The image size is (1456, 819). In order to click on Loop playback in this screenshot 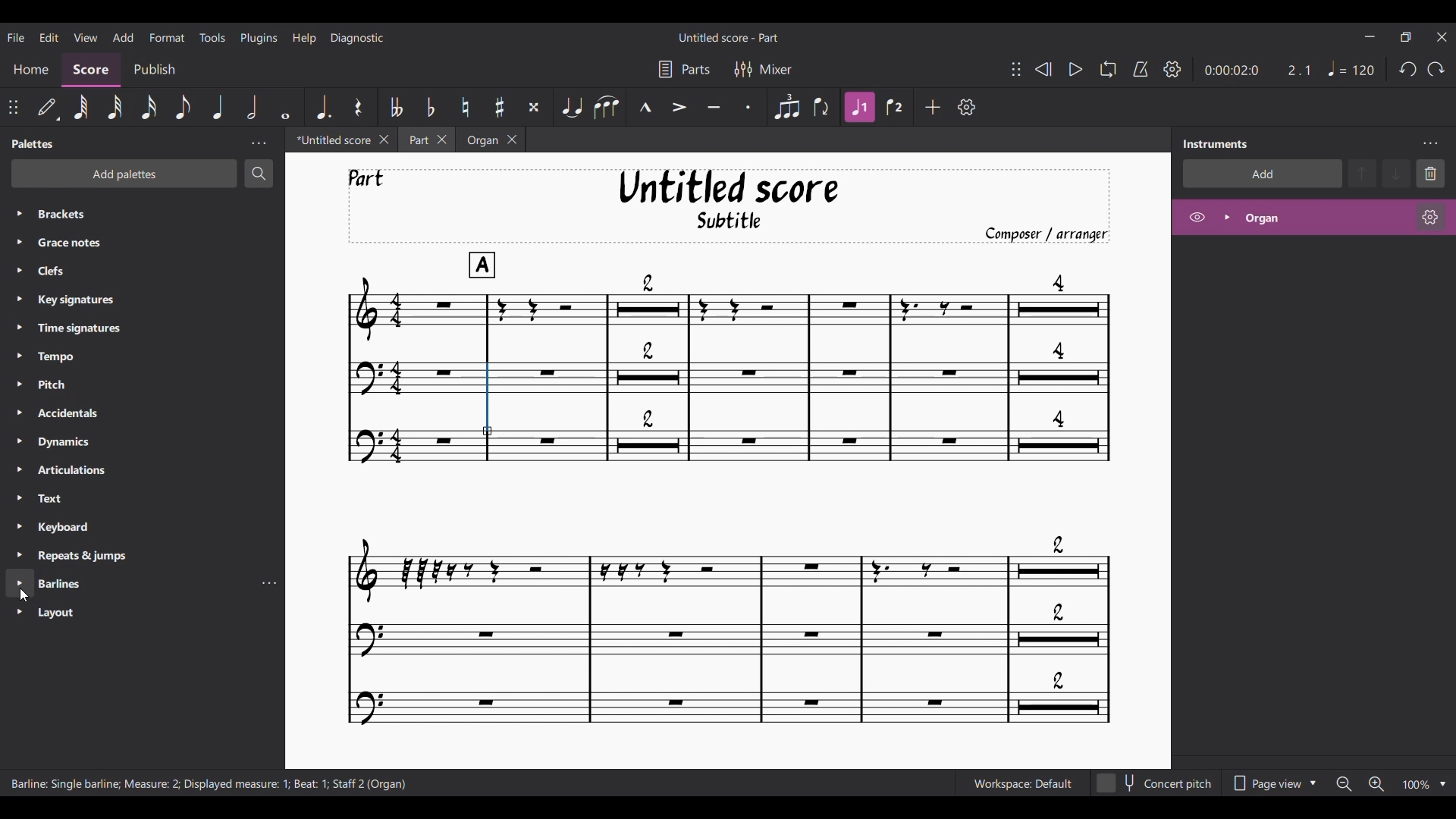, I will do `click(1108, 69)`.